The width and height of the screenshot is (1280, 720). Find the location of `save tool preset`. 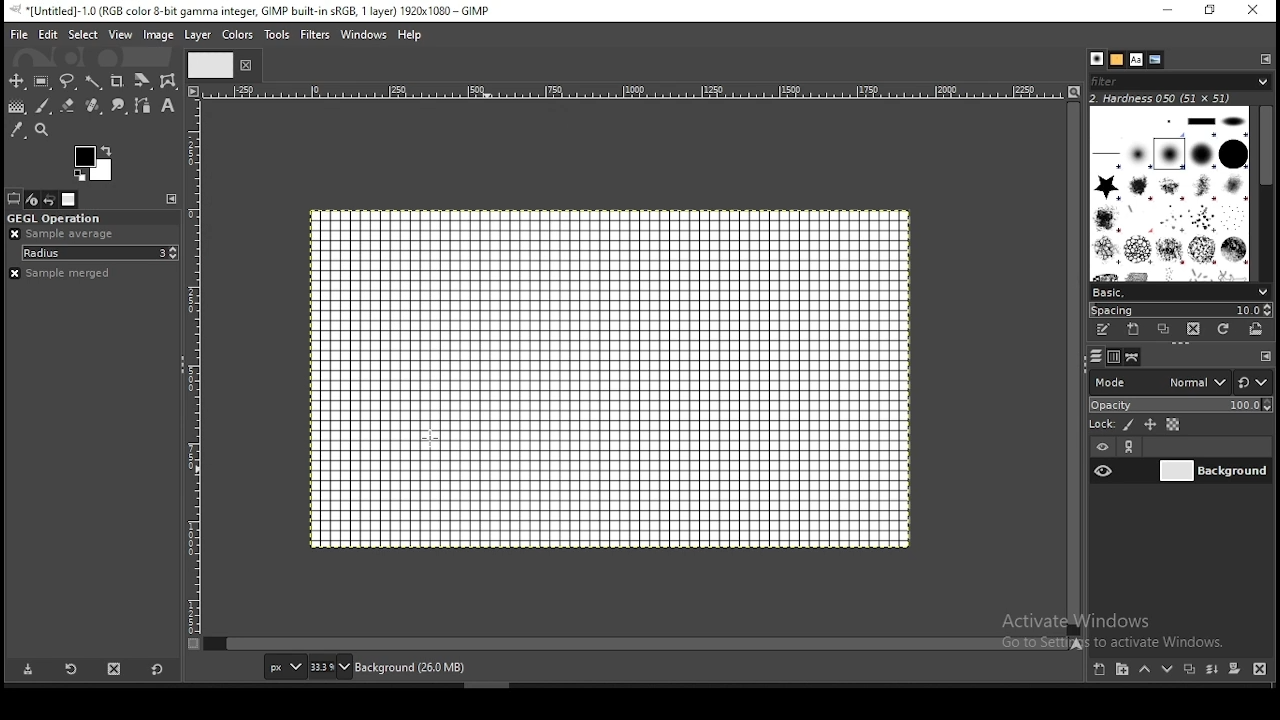

save tool preset is located at coordinates (27, 670).